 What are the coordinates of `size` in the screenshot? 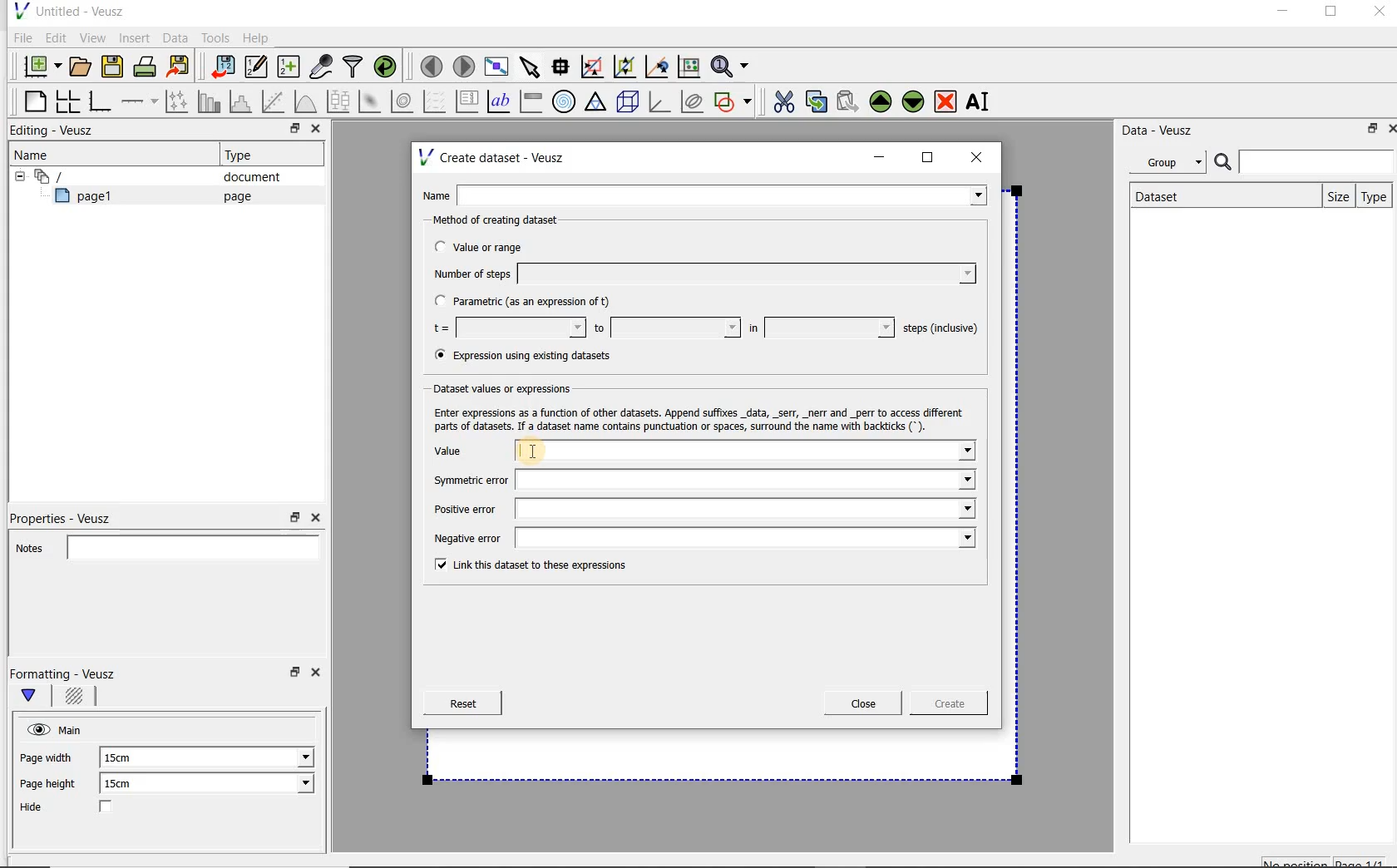 It's located at (1335, 195).